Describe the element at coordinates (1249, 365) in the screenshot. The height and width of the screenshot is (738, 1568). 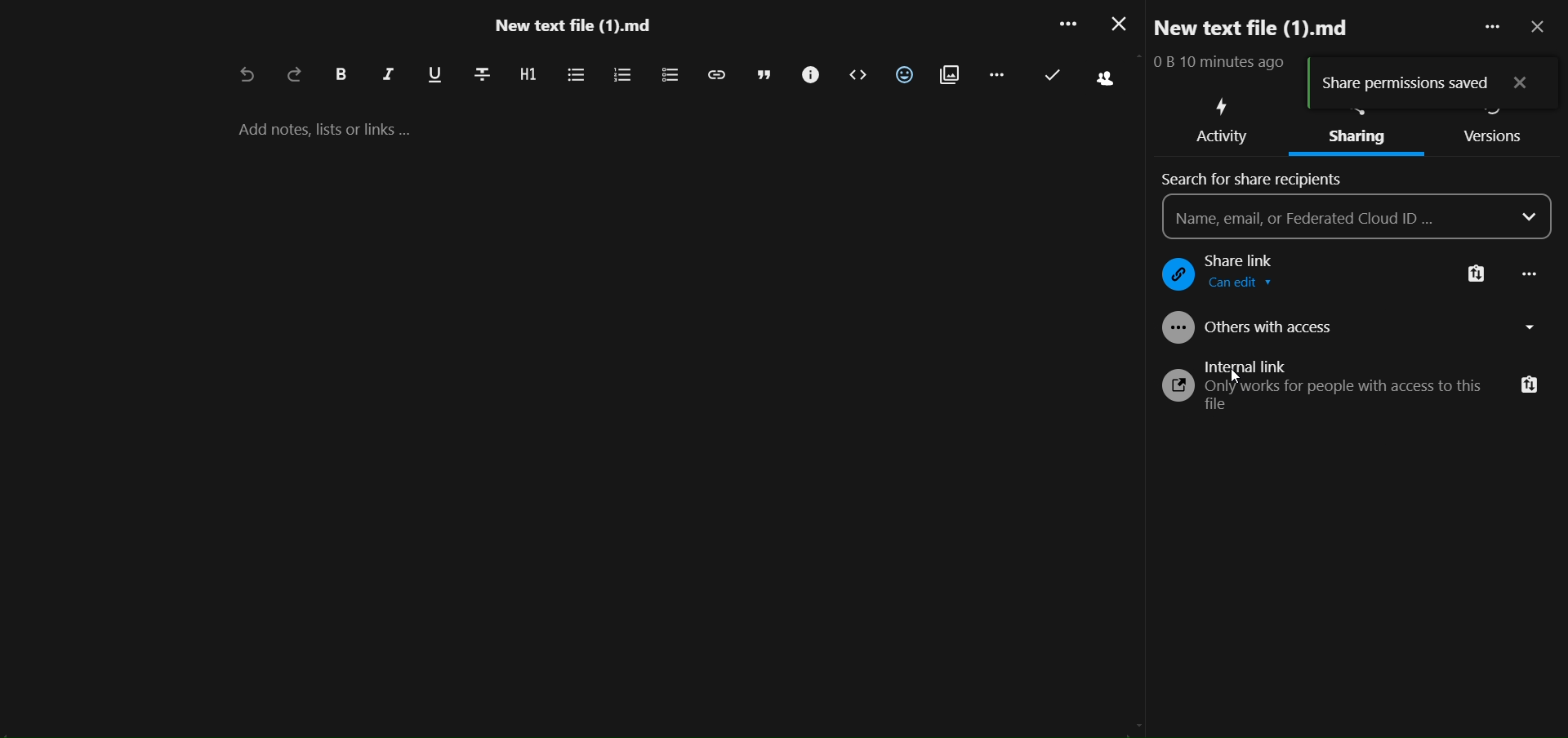
I see `internal link` at that location.